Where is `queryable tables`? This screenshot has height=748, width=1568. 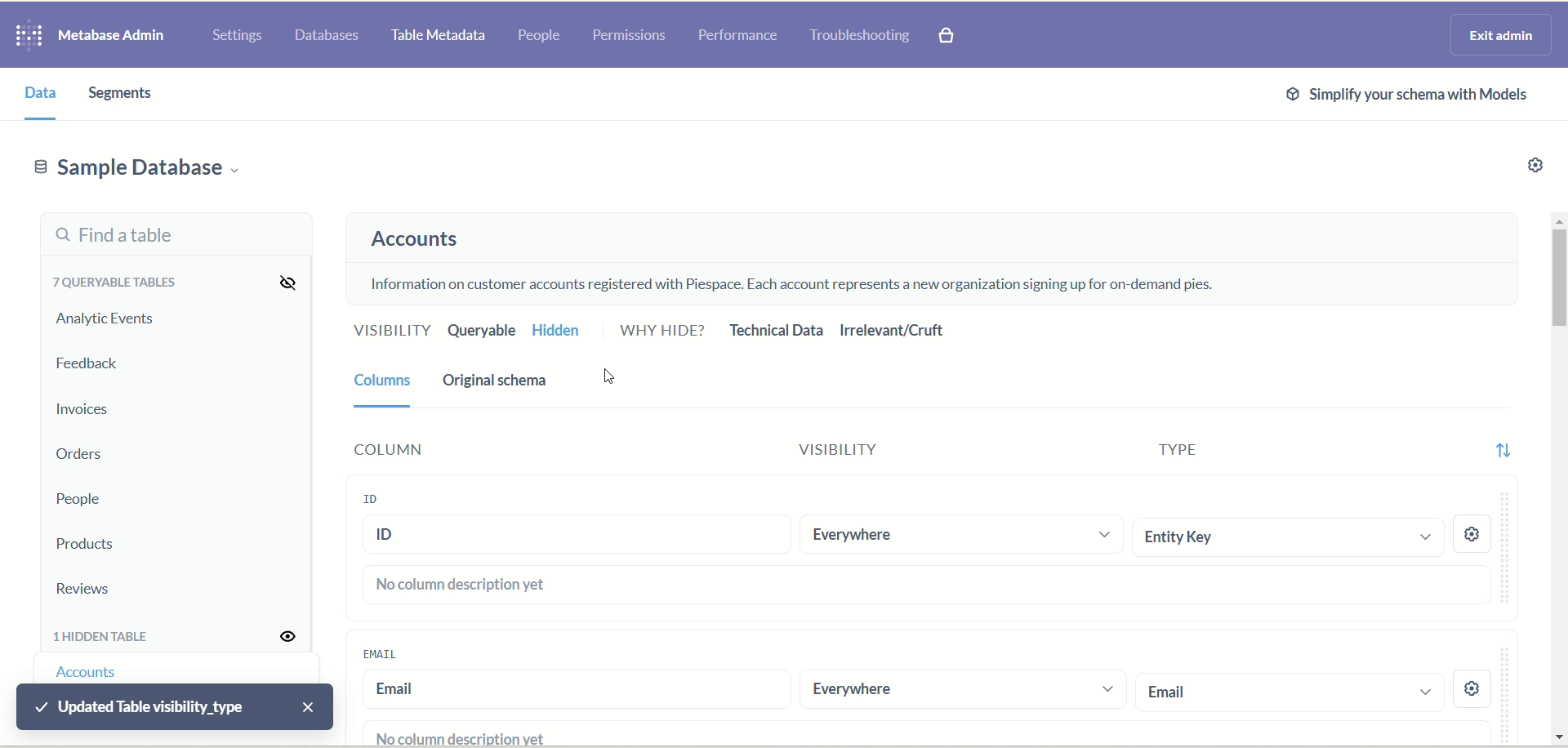 queryable tables is located at coordinates (114, 287).